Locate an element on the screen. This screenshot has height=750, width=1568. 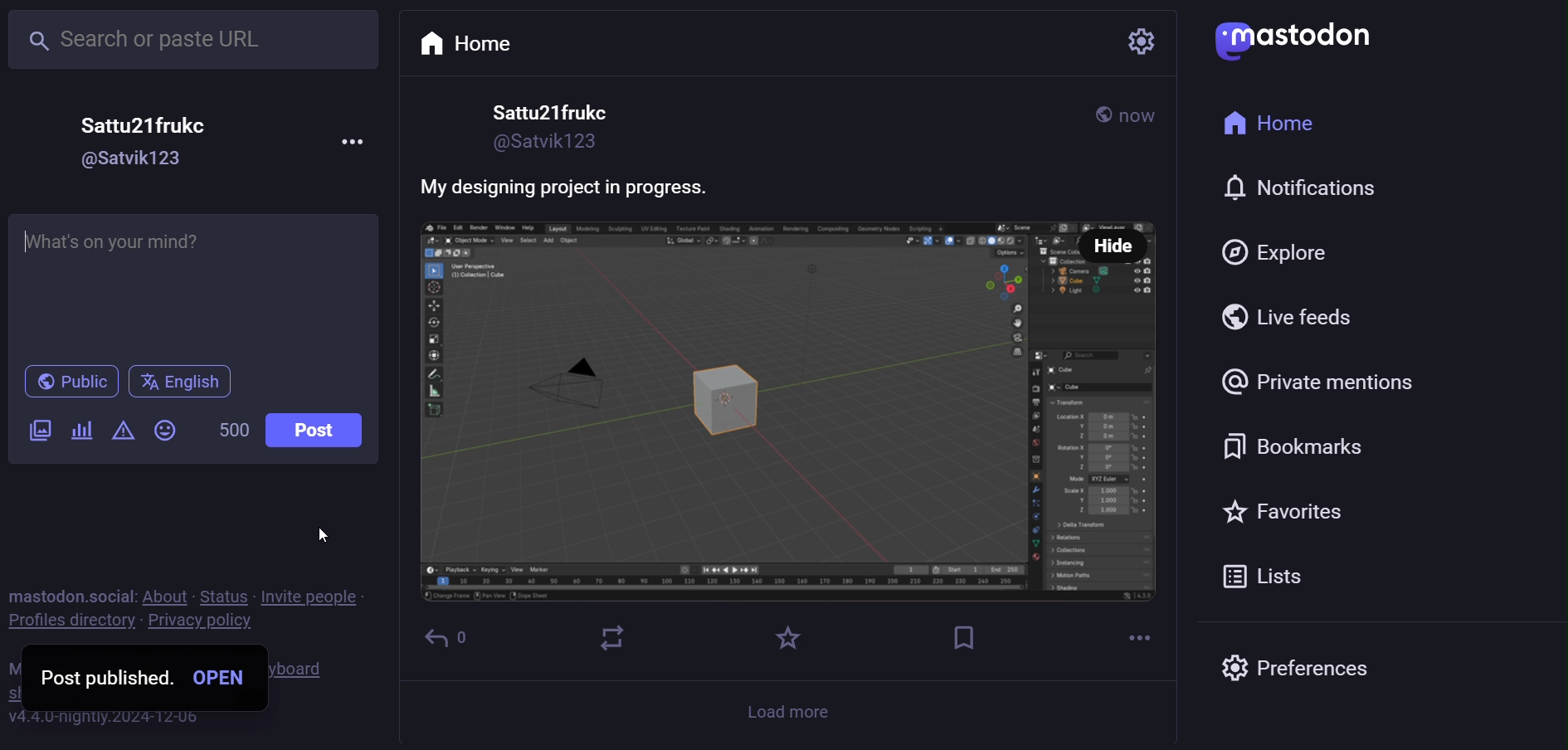
poll is located at coordinates (76, 434).